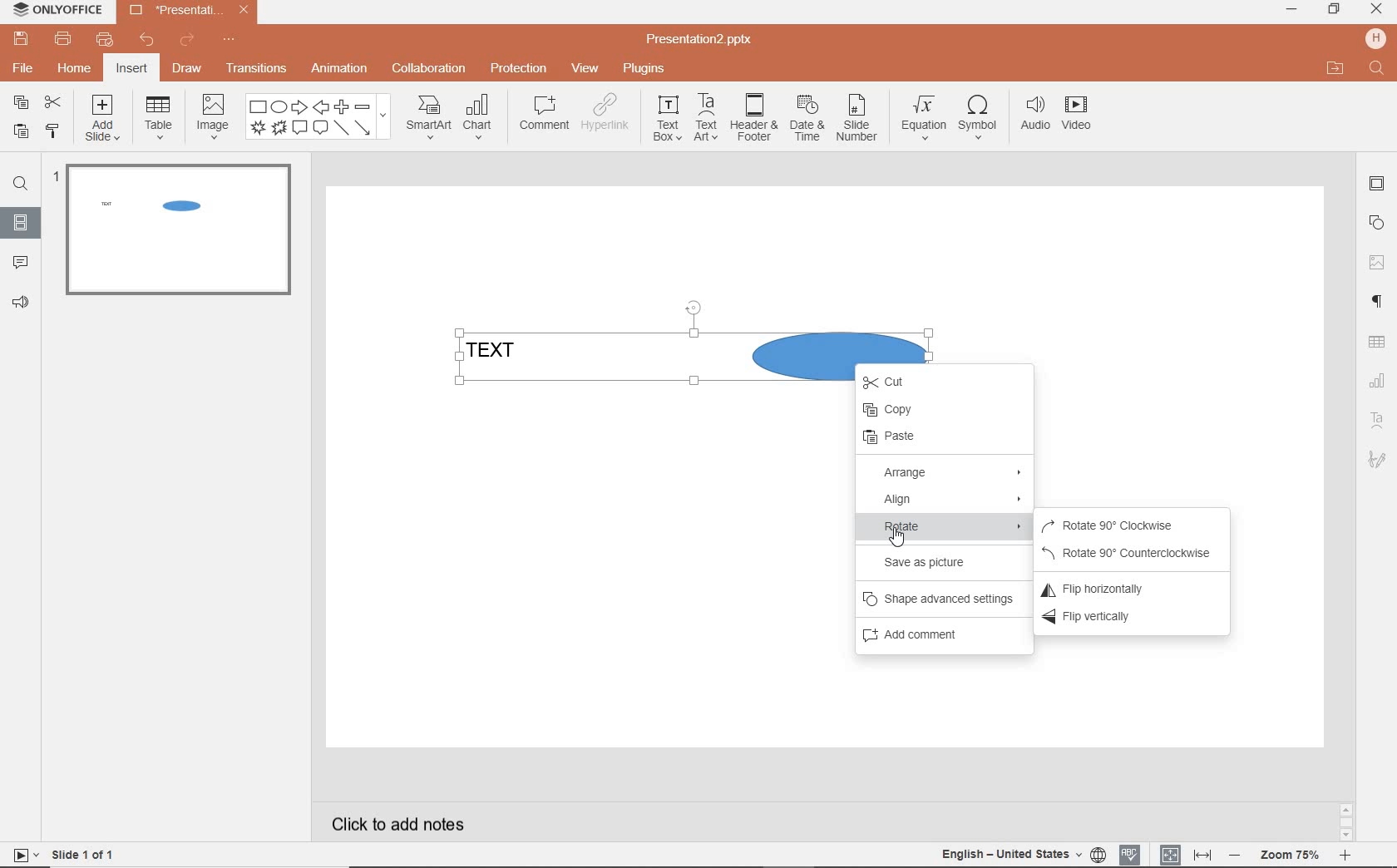  Describe the element at coordinates (1128, 525) in the screenshot. I see `ROTATE 90 CLOCKWISE` at that location.